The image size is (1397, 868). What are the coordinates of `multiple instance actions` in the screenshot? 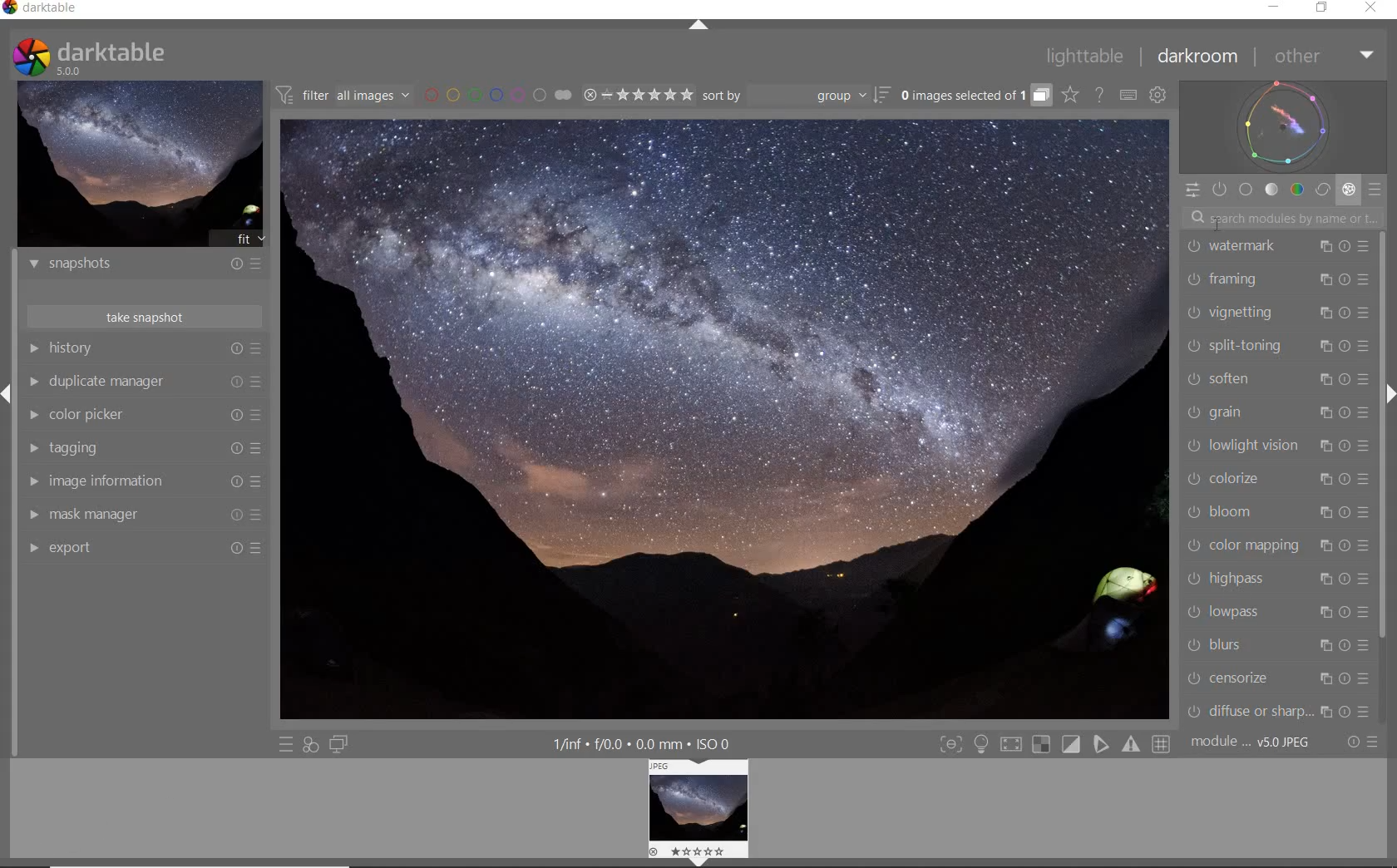 It's located at (1325, 411).